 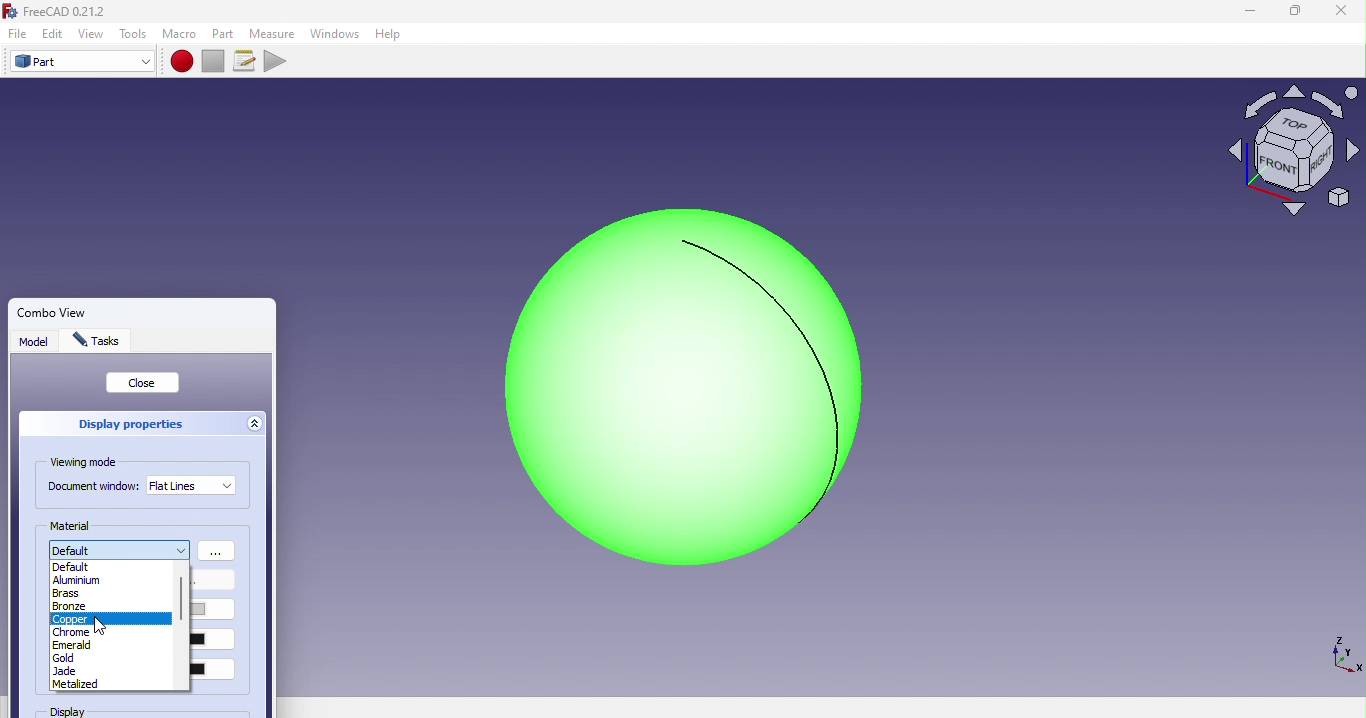 What do you see at coordinates (1247, 11) in the screenshot?
I see `Minimize` at bounding box center [1247, 11].